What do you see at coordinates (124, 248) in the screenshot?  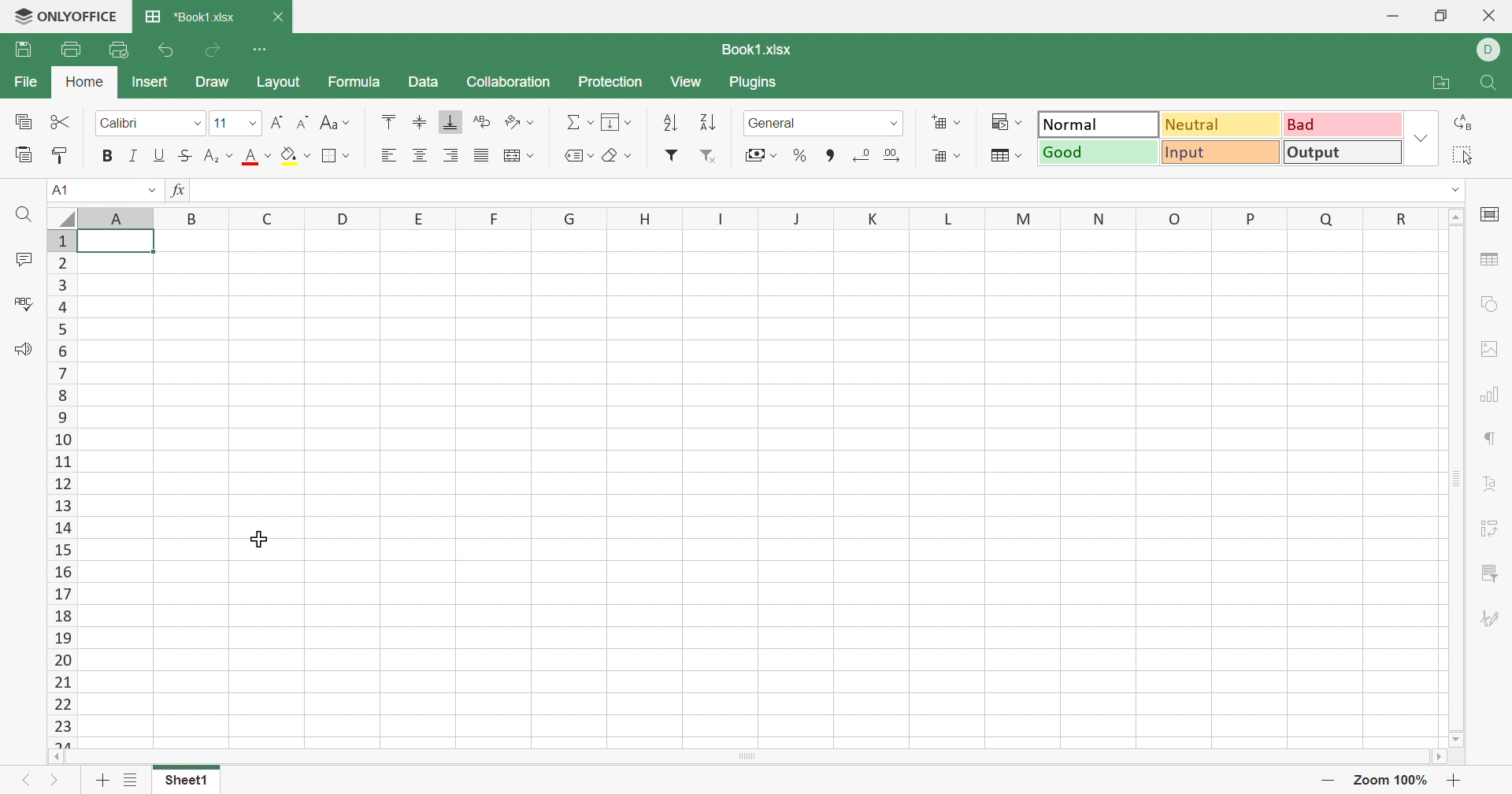 I see `Cell A1 highlighted` at bounding box center [124, 248].